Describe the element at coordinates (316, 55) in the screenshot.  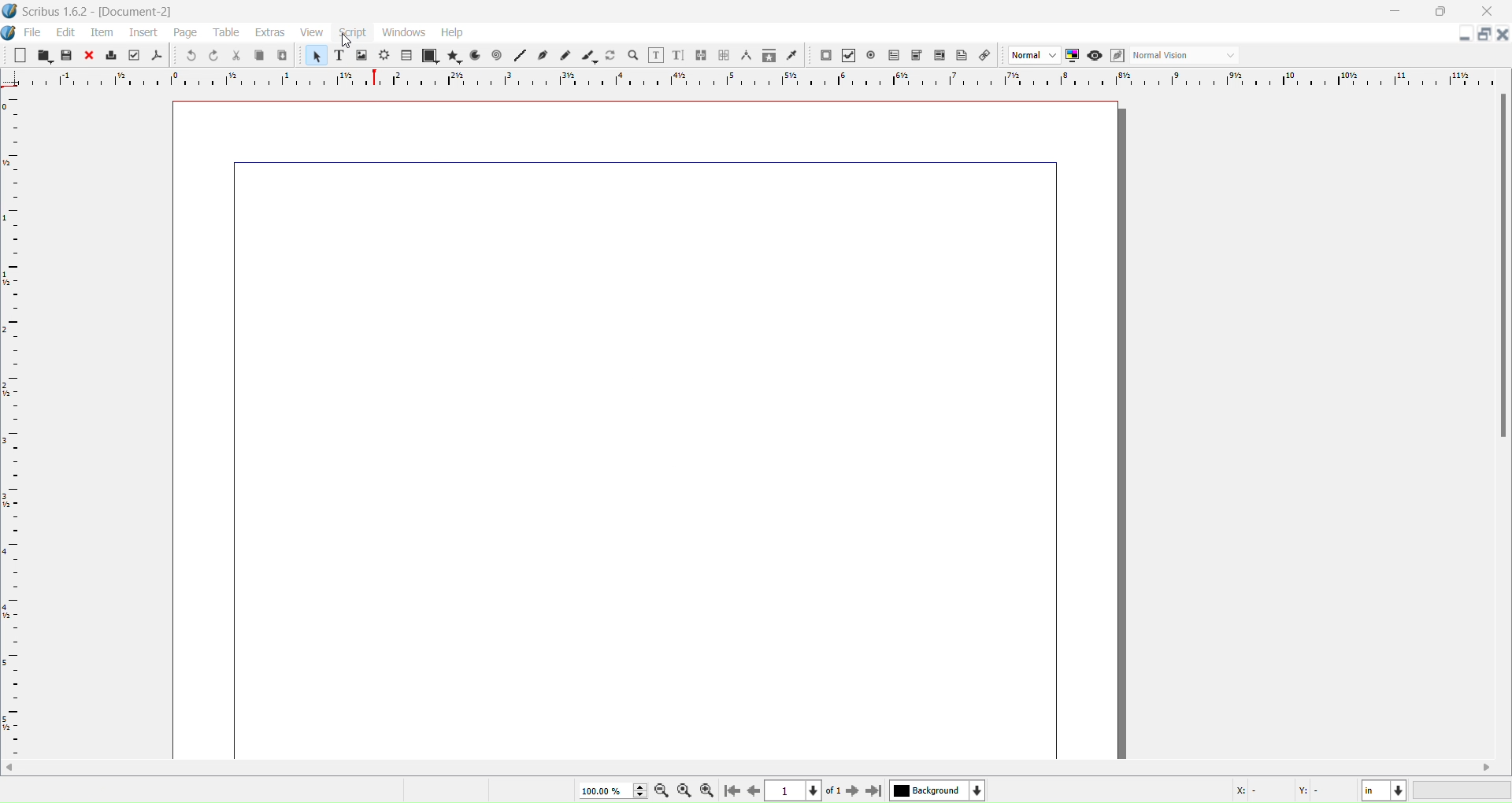
I see `Select Item` at that location.